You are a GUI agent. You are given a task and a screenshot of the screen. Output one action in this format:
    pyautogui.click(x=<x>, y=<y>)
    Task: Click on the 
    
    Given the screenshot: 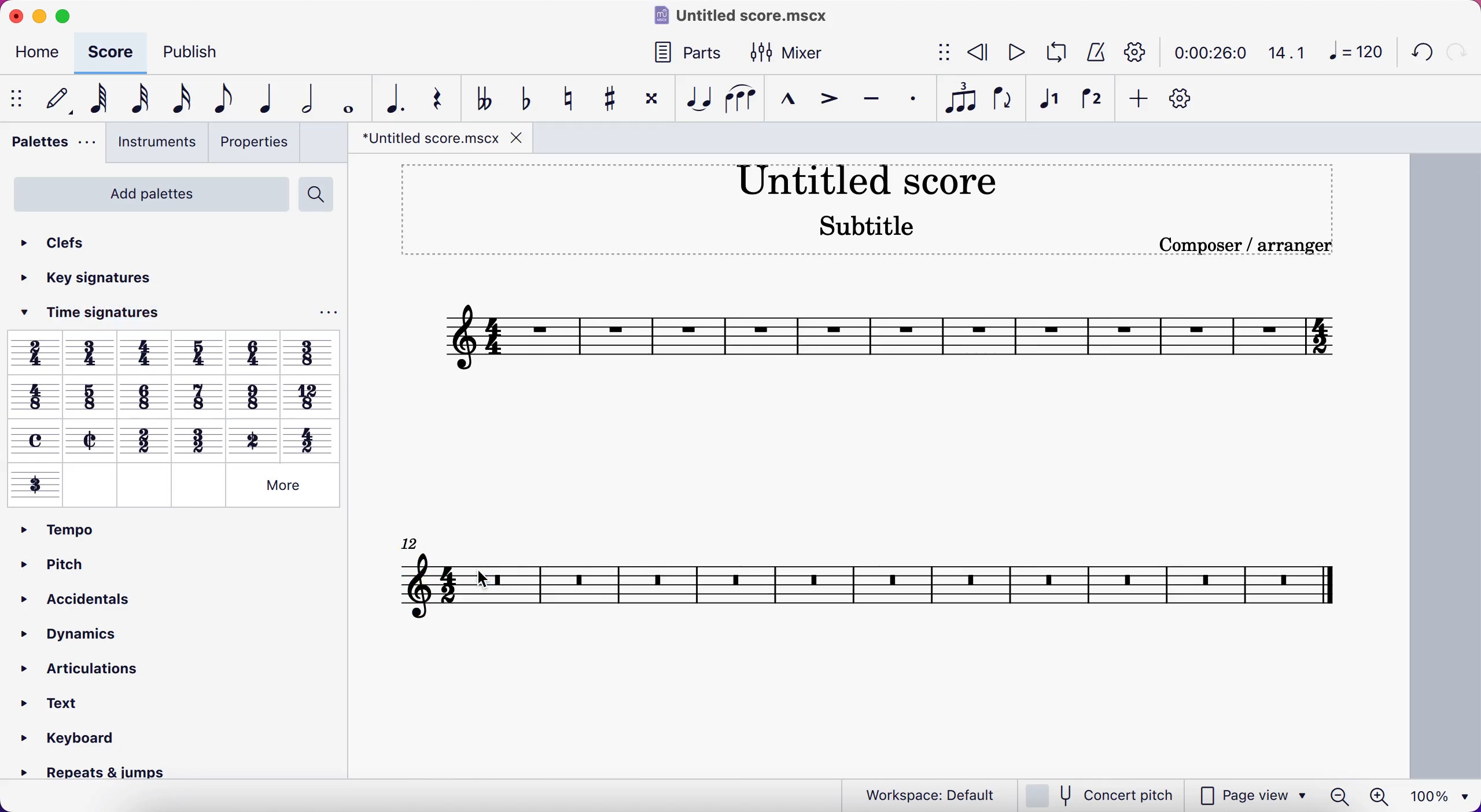 What is the action you would take?
    pyautogui.click(x=310, y=438)
    